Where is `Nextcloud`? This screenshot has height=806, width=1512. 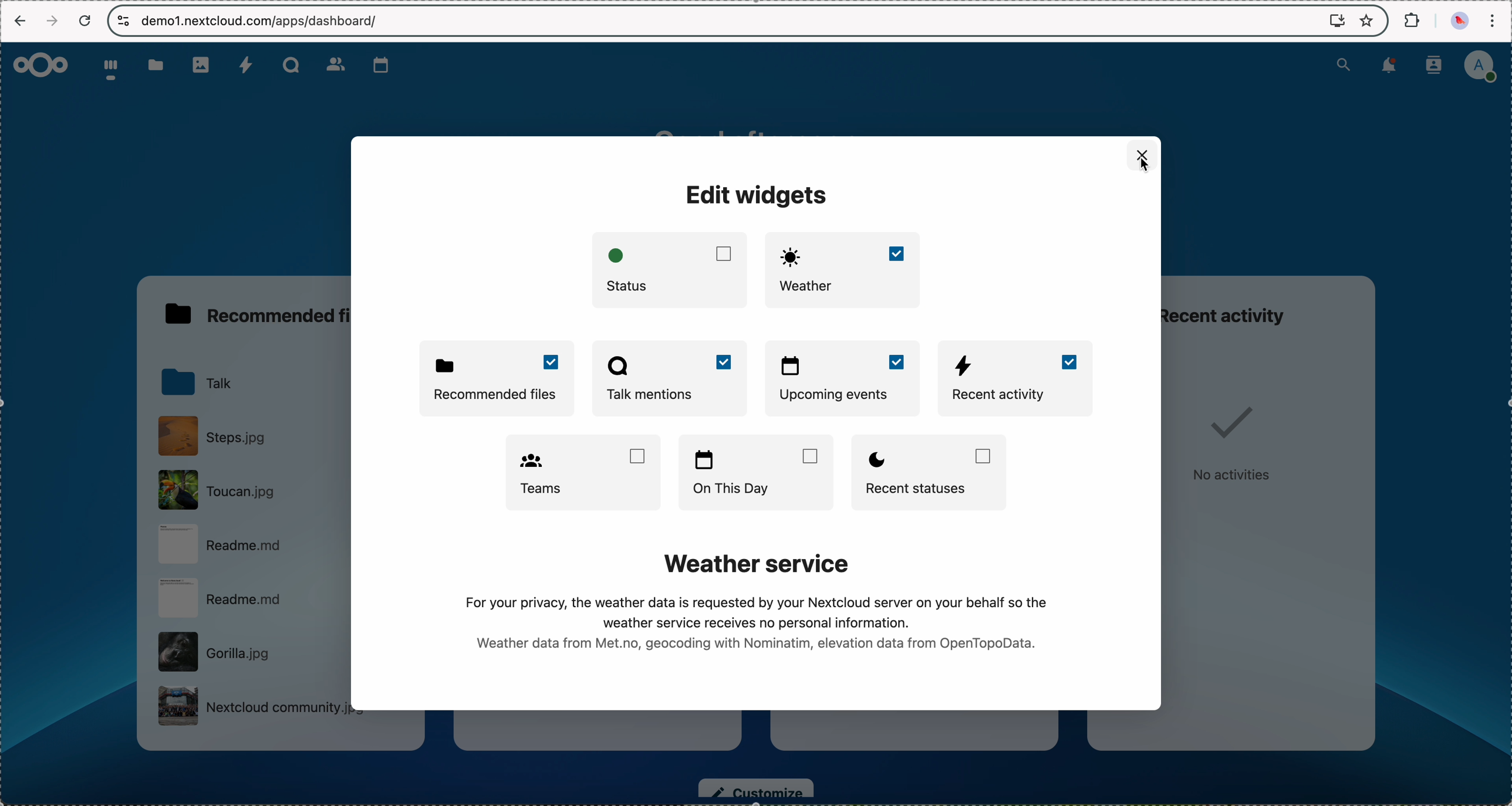 Nextcloud is located at coordinates (42, 65).